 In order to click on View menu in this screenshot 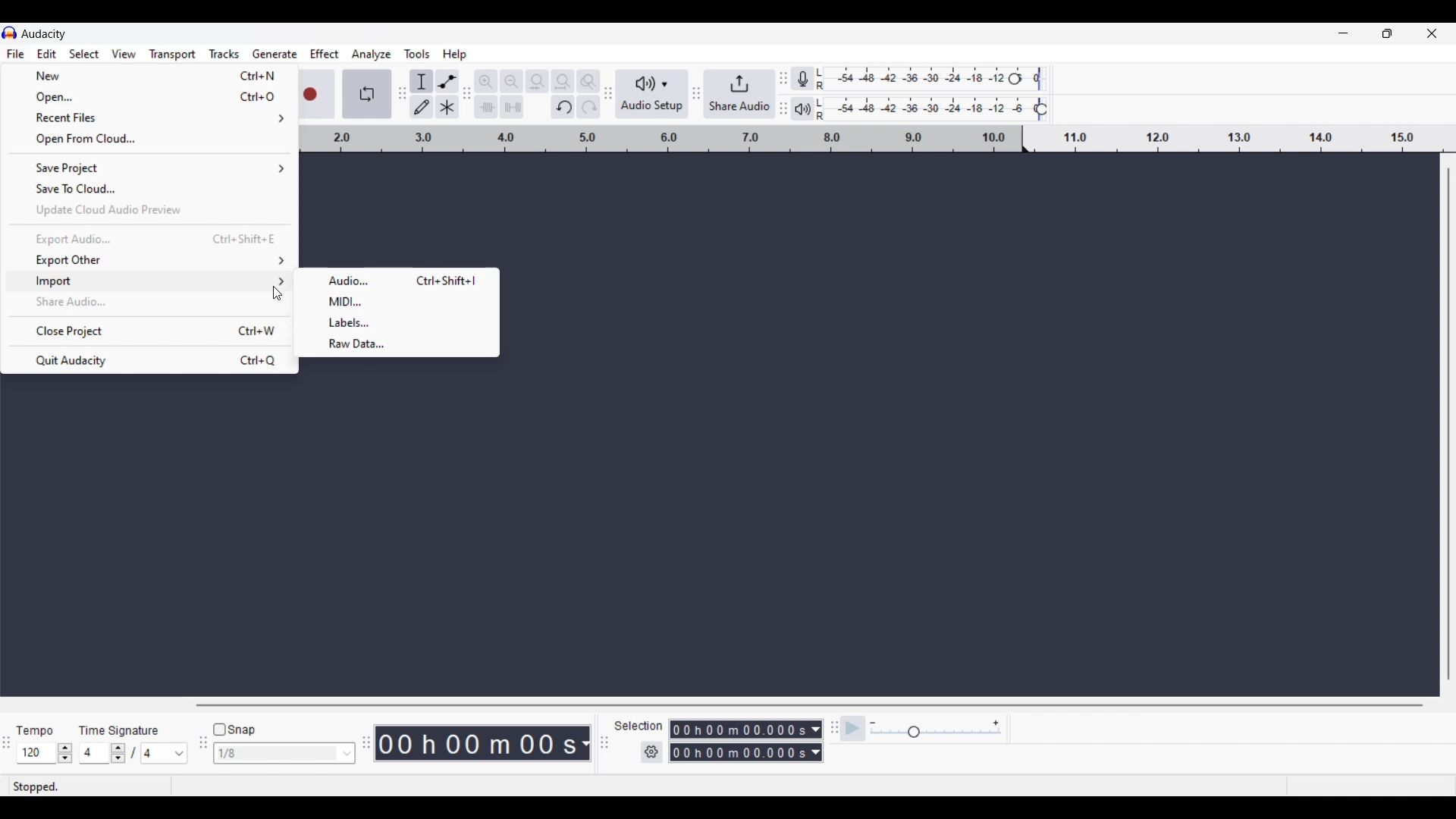, I will do `click(124, 53)`.